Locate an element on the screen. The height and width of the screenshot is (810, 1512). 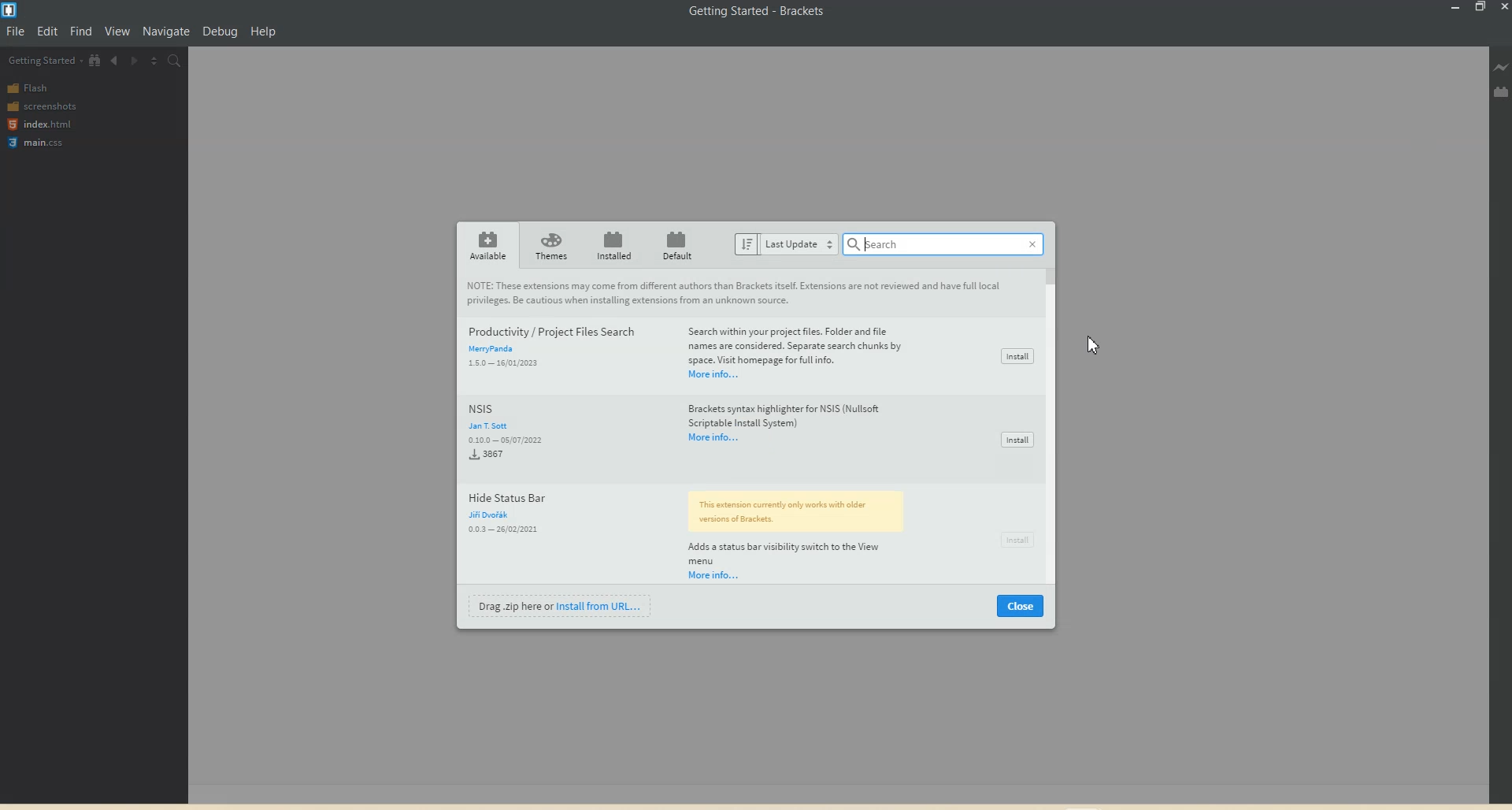
More results... is located at coordinates (708, 437).